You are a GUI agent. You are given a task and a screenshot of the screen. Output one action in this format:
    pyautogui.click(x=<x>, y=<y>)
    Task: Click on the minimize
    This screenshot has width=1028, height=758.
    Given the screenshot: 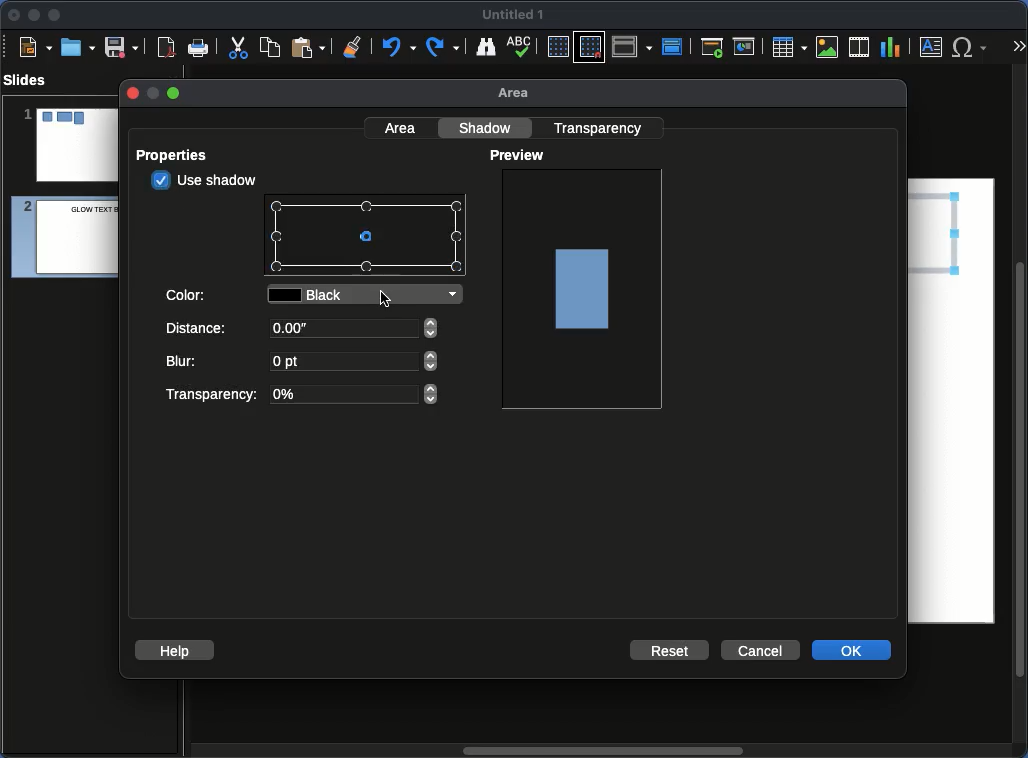 What is the action you would take?
    pyautogui.click(x=151, y=93)
    